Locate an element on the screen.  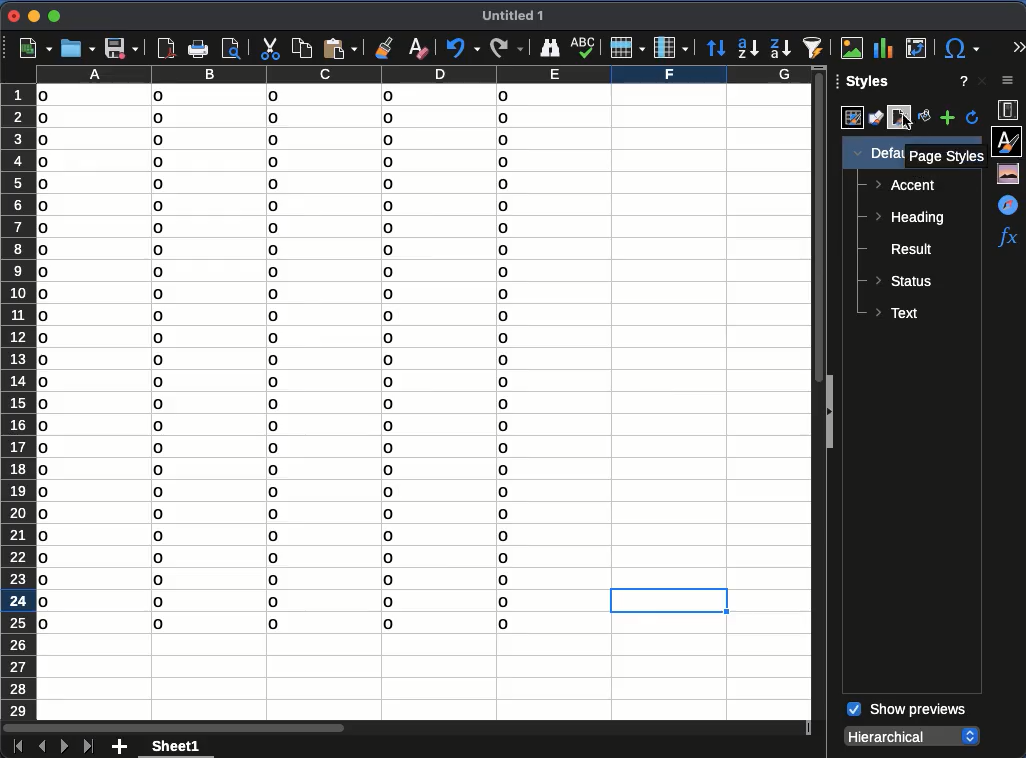
pivot table is located at coordinates (918, 48).